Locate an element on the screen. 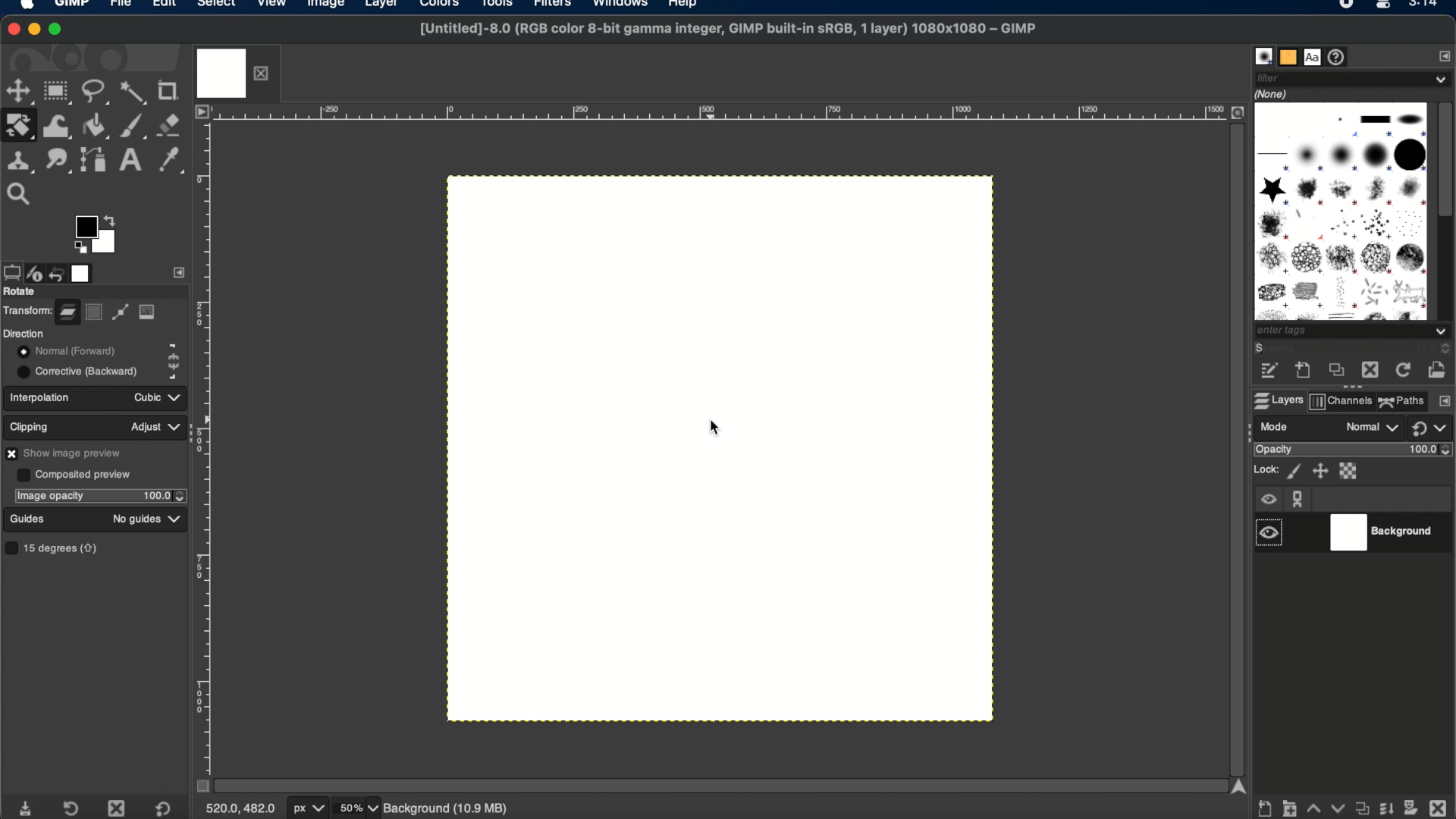 This screenshot has height=819, width=1456. tool options is located at coordinates (11, 271).